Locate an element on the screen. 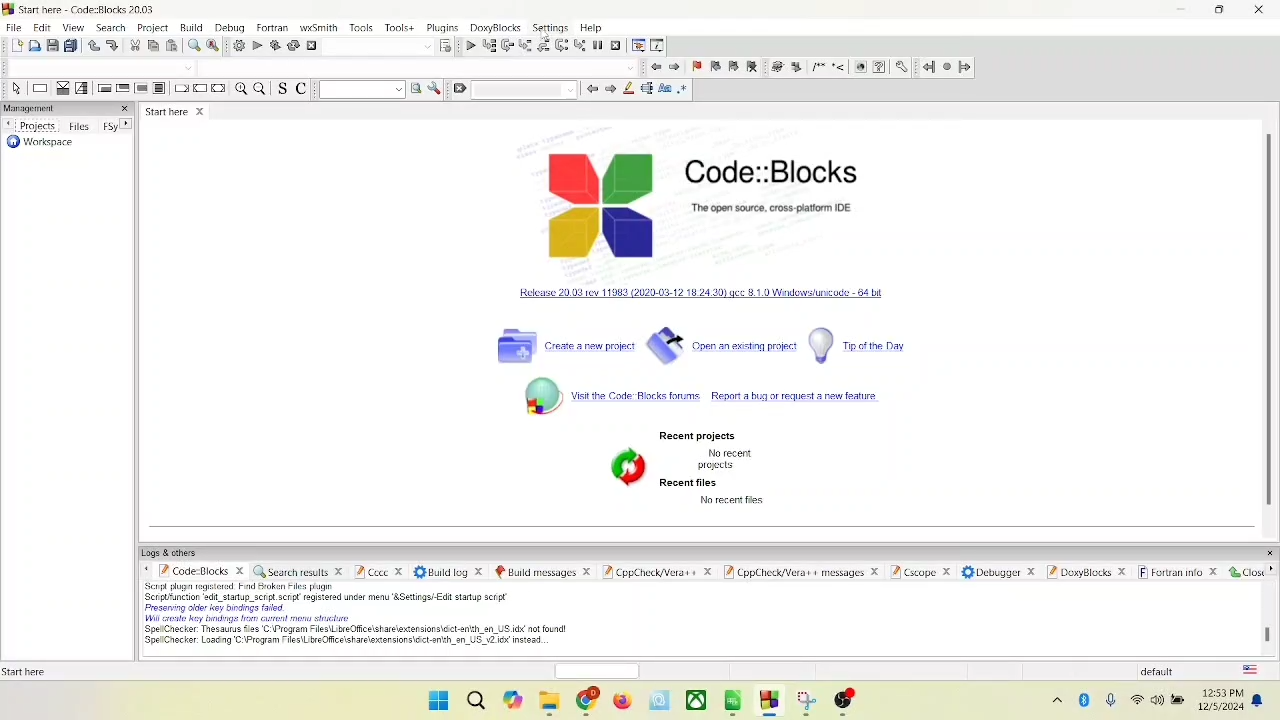 Image resolution: width=1280 pixels, height=720 pixels. recent projects is located at coordinates (701, 435).